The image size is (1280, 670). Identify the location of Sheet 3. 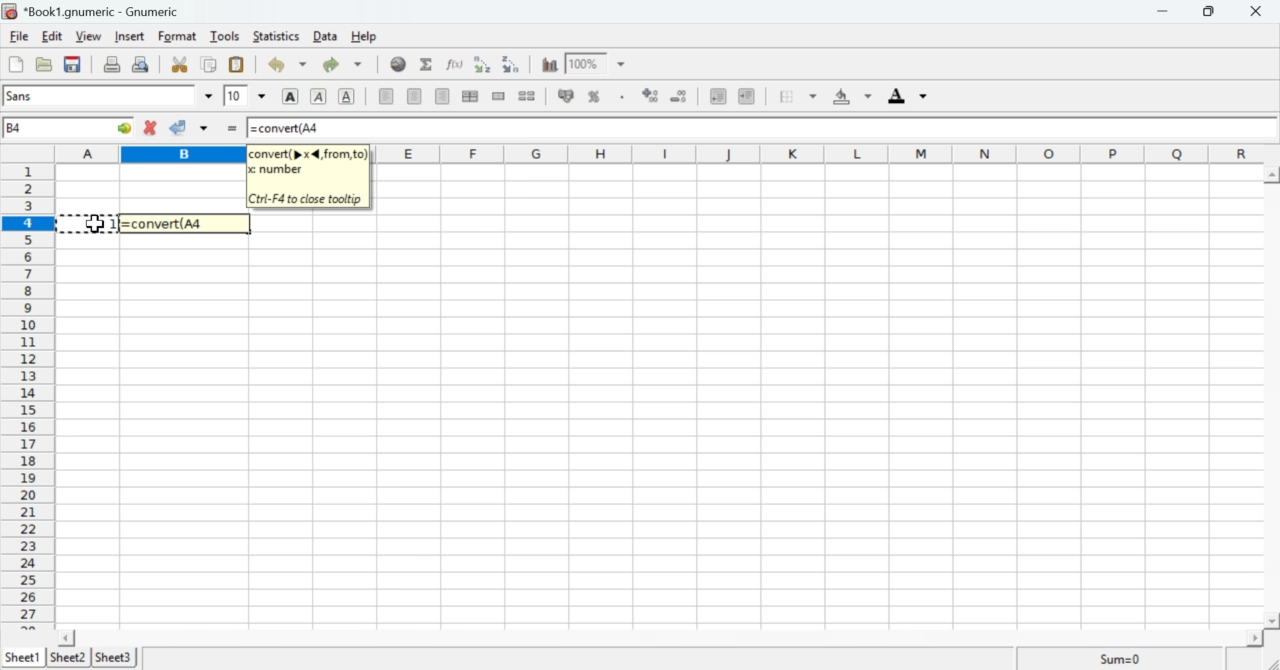
(115, 658).